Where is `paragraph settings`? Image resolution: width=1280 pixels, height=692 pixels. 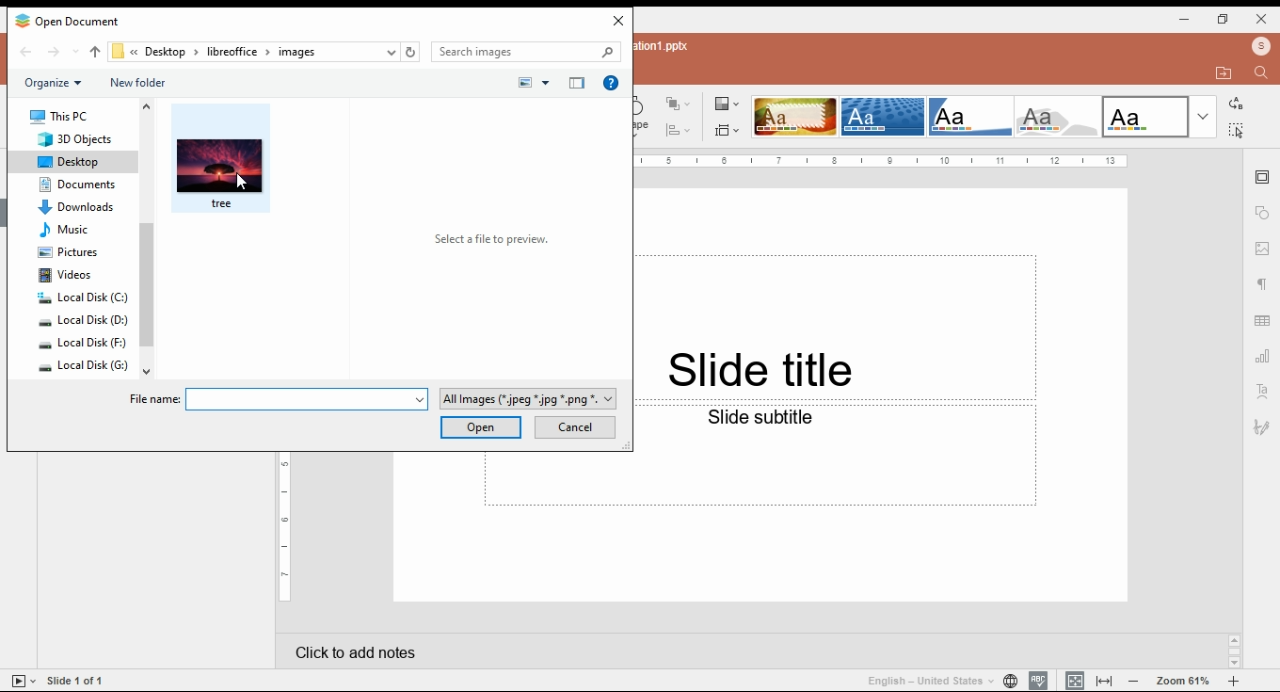
paragraph settings is located at coordinates (1261, 284).